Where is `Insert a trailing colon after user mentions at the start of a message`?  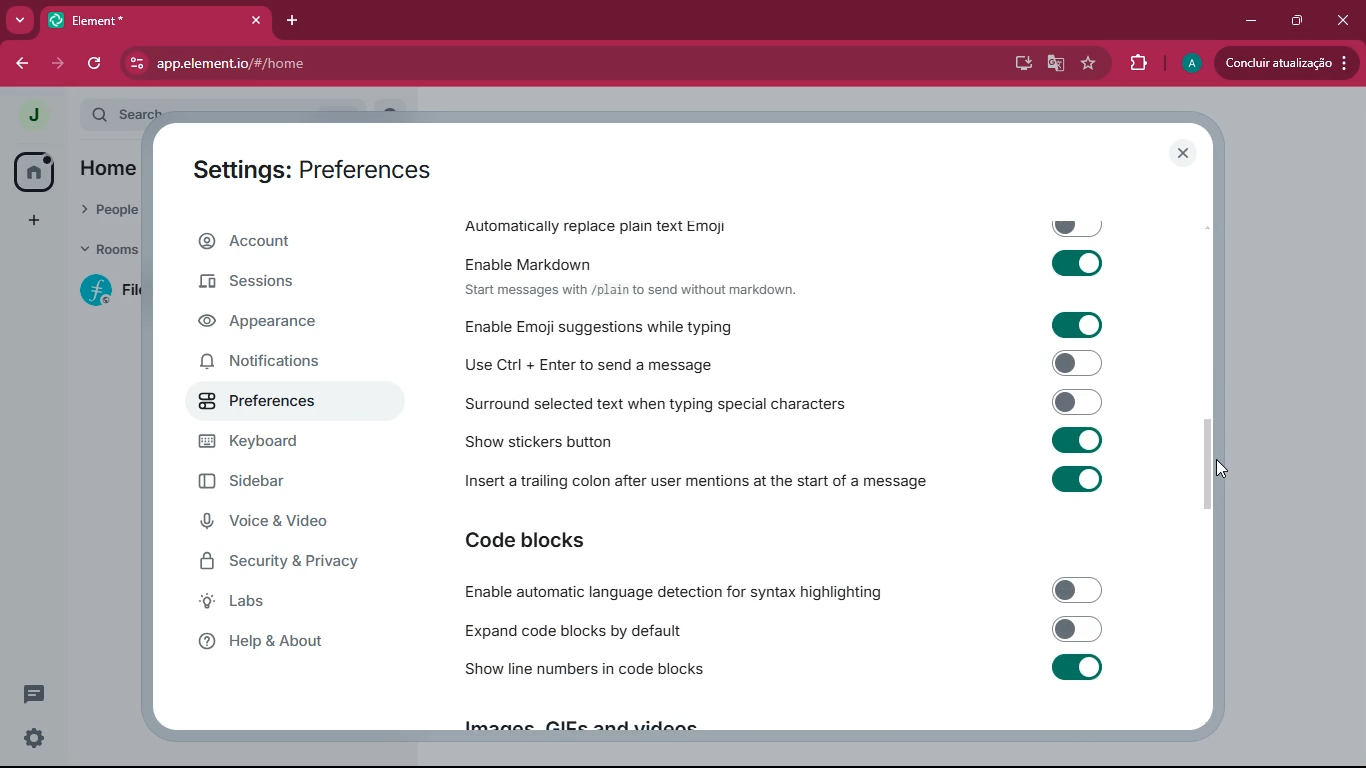
Insert a trailing colon after user mentions at the start of a message is located at coordinates (790, 485).